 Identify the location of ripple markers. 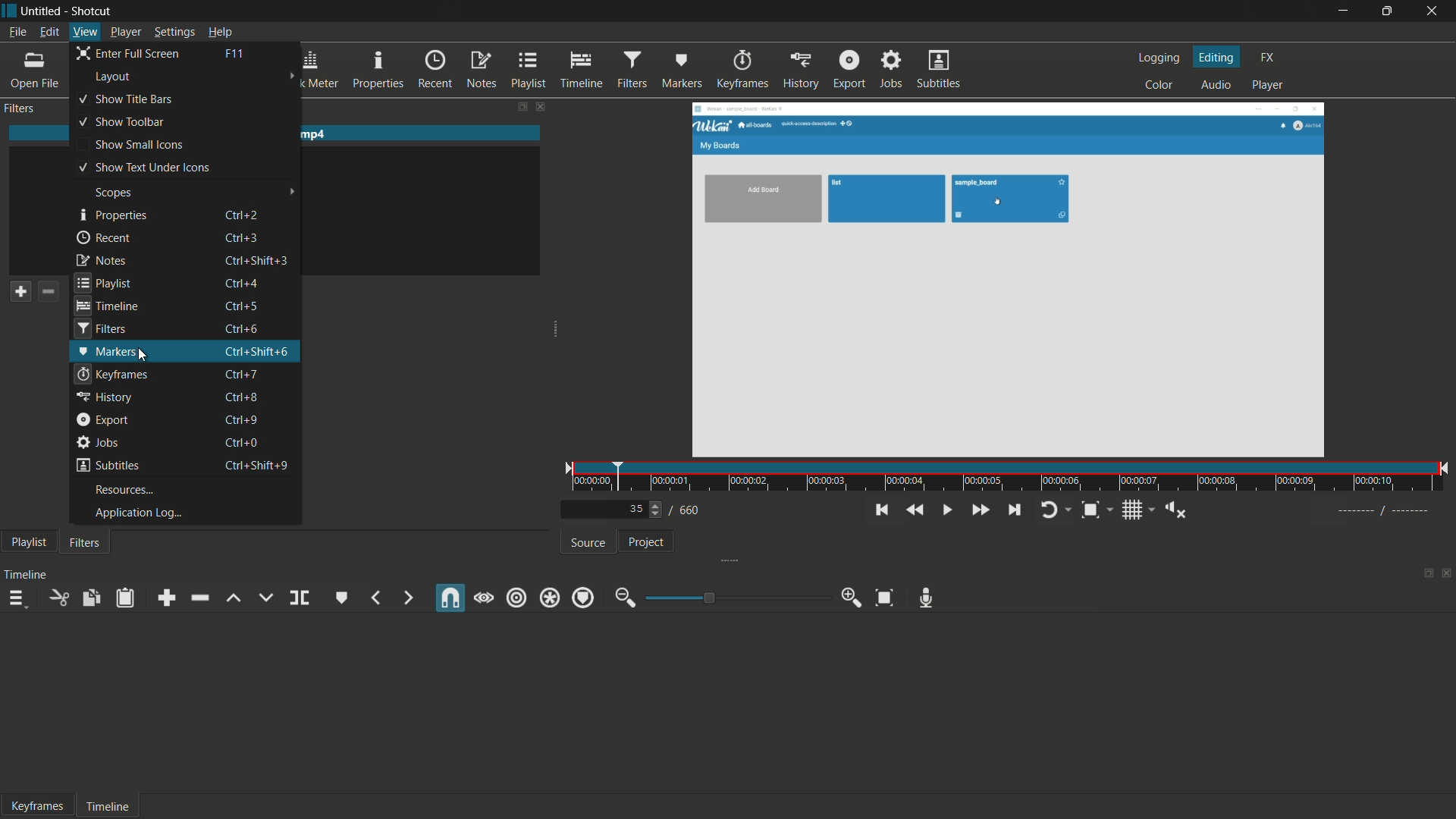
(584, 598).